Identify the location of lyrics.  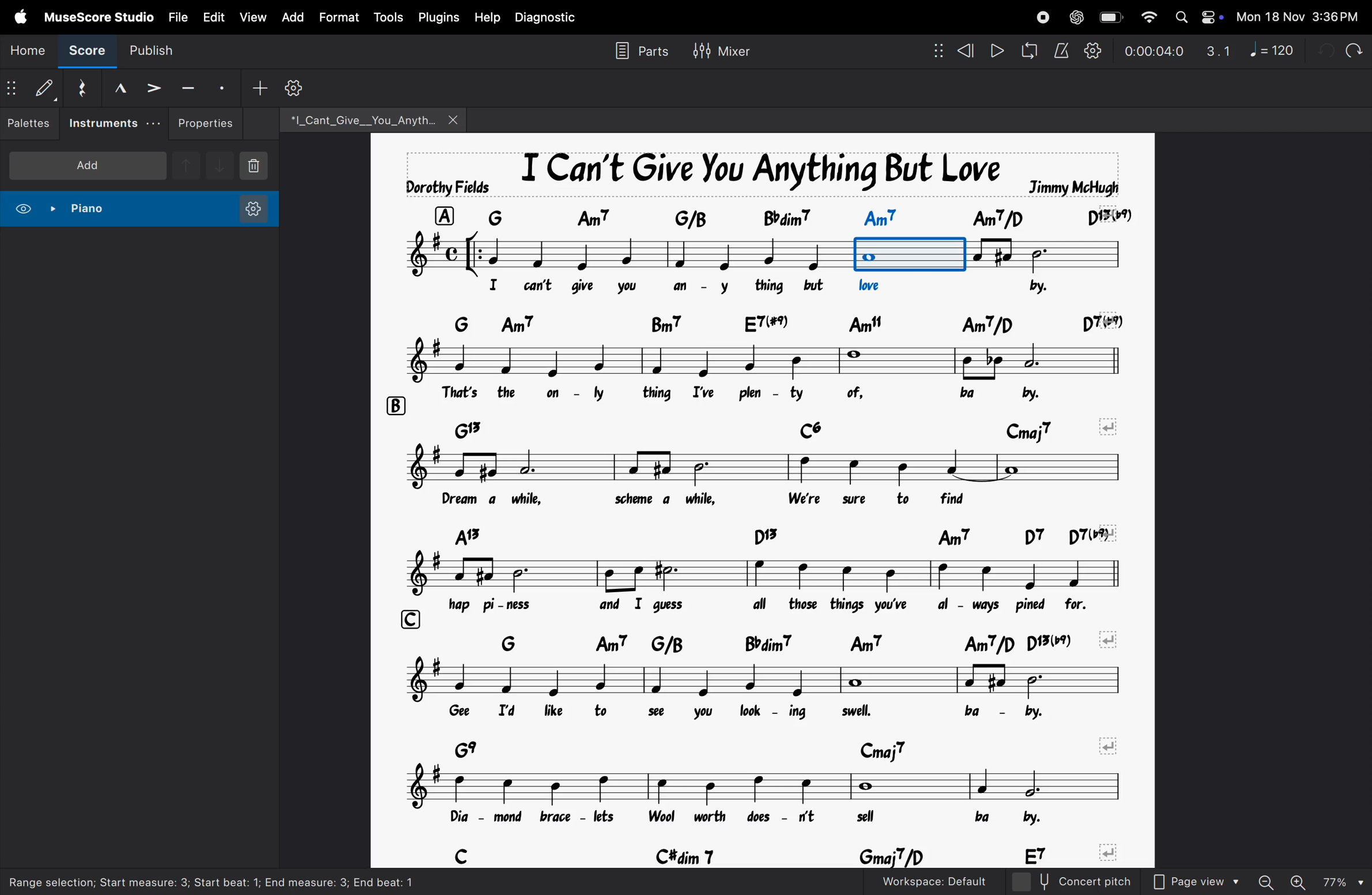
(796, 606).